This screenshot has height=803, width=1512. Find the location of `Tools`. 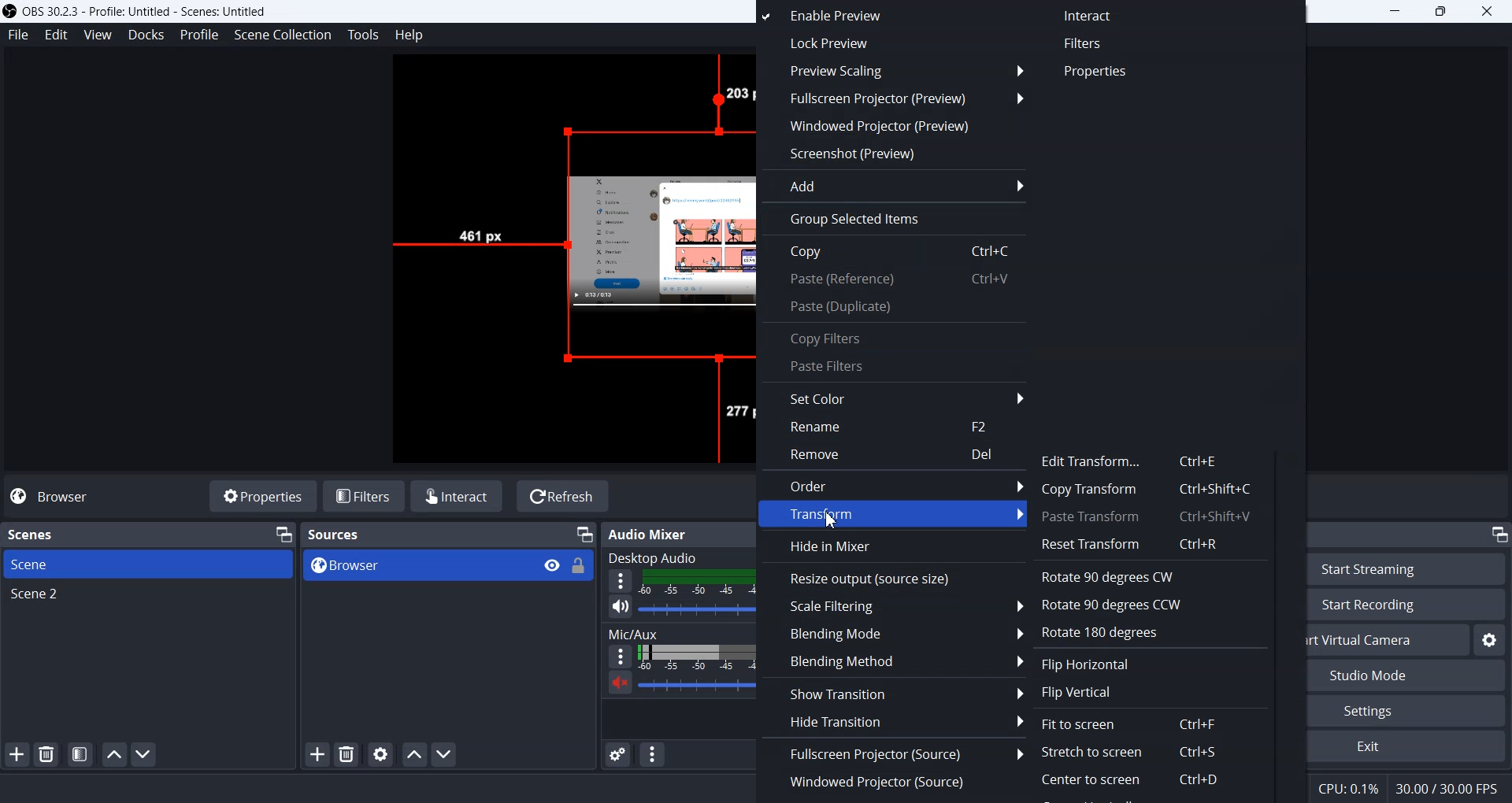

Tools is located at coordinates (363, 35).